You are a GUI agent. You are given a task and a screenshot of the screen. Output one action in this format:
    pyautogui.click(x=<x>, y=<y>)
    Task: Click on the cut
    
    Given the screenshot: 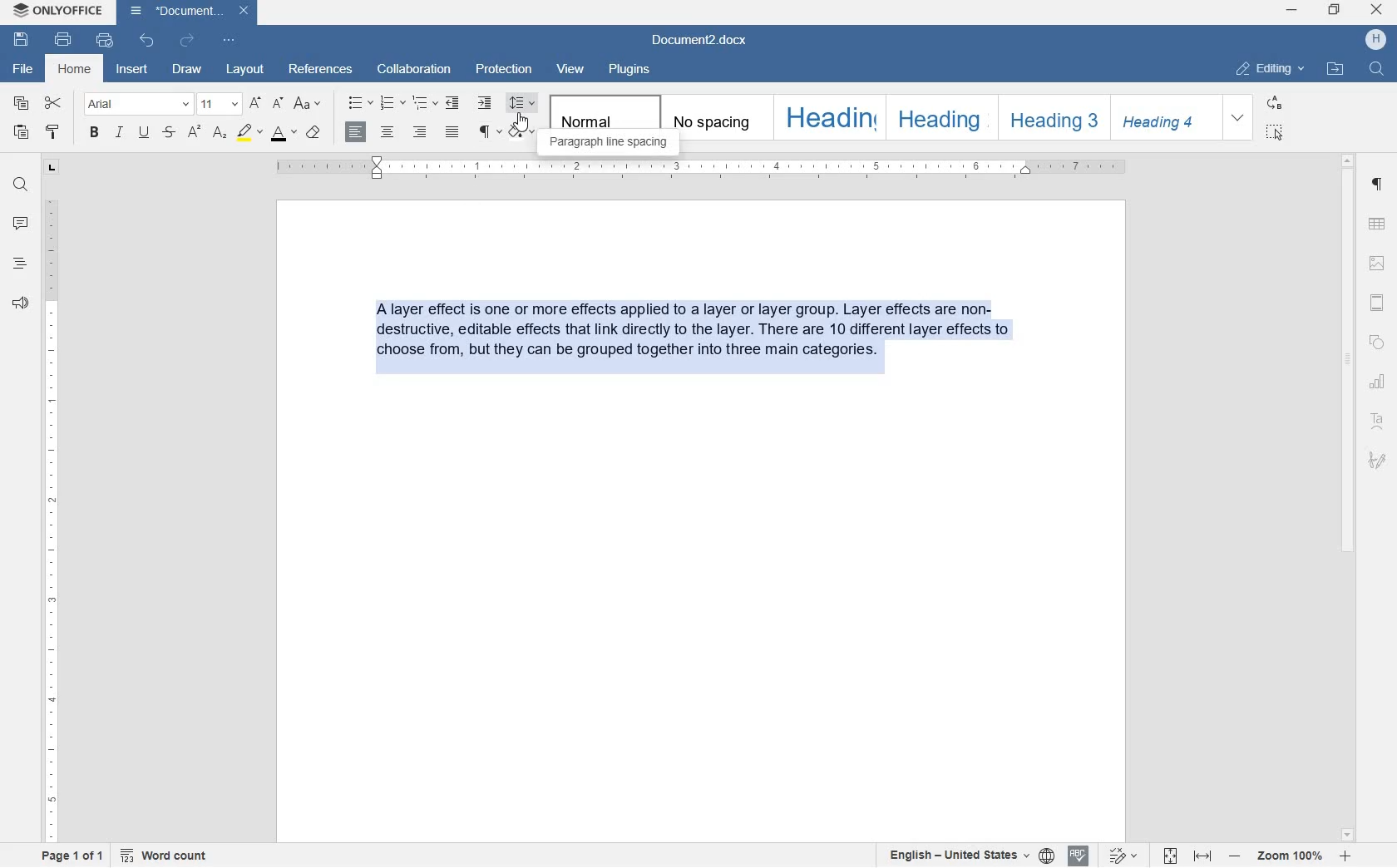 What is the action you would take?
    pyautogui.click(x=53, y=104)
    